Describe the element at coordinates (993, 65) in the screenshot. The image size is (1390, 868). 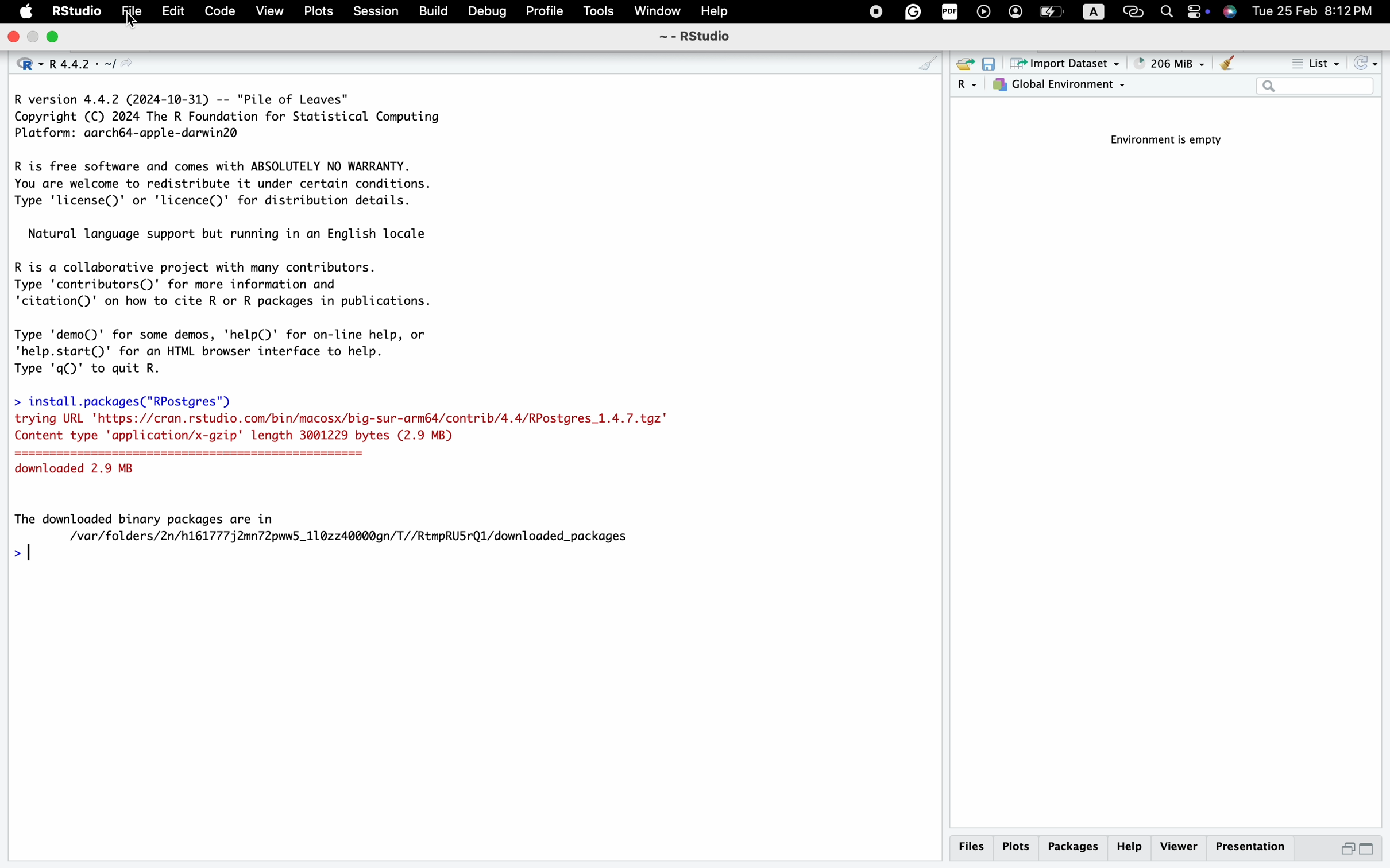
I see `save workspace as` at that location.